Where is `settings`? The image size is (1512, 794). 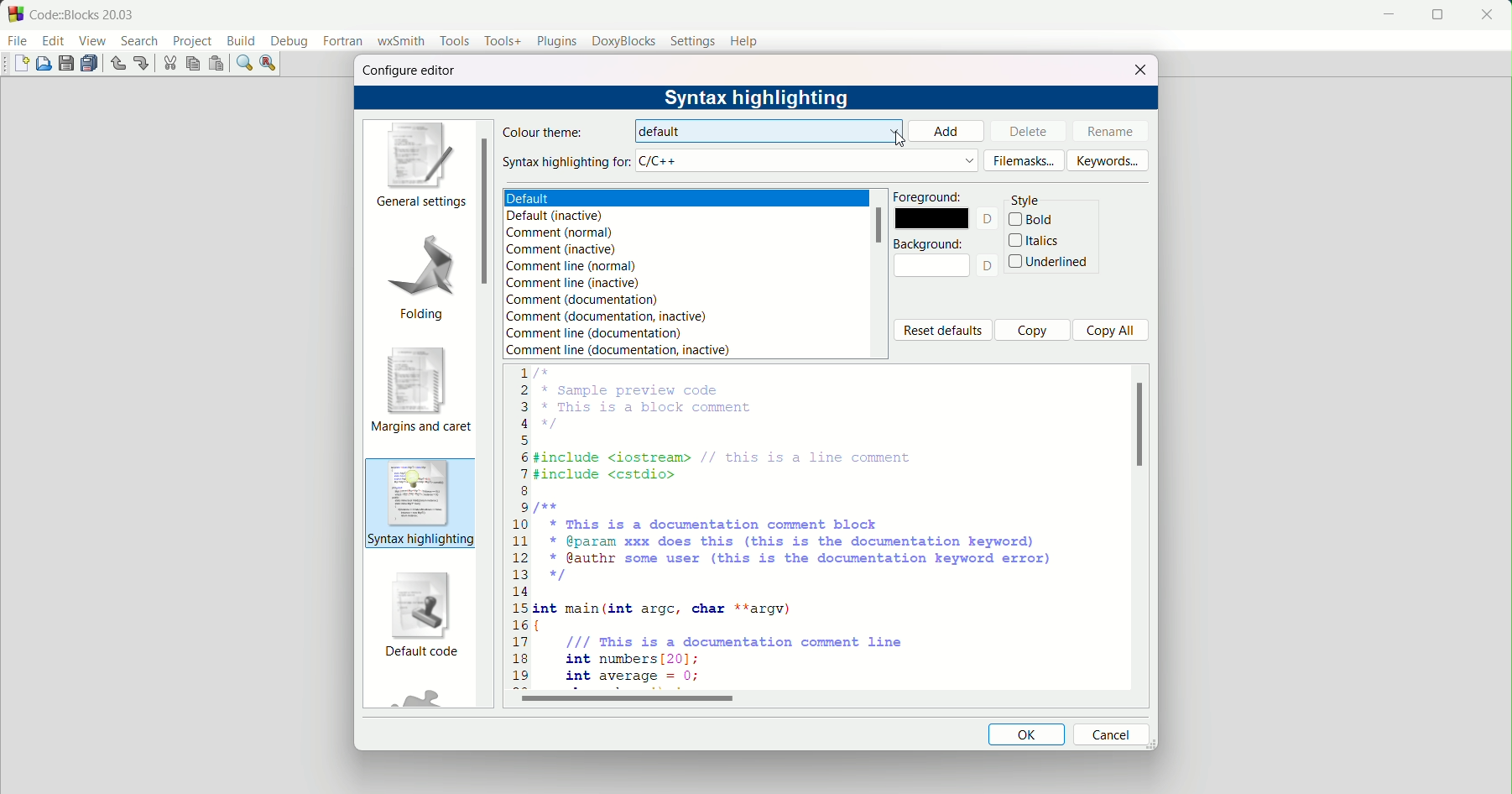
settings is located at coordinates (693, 42).